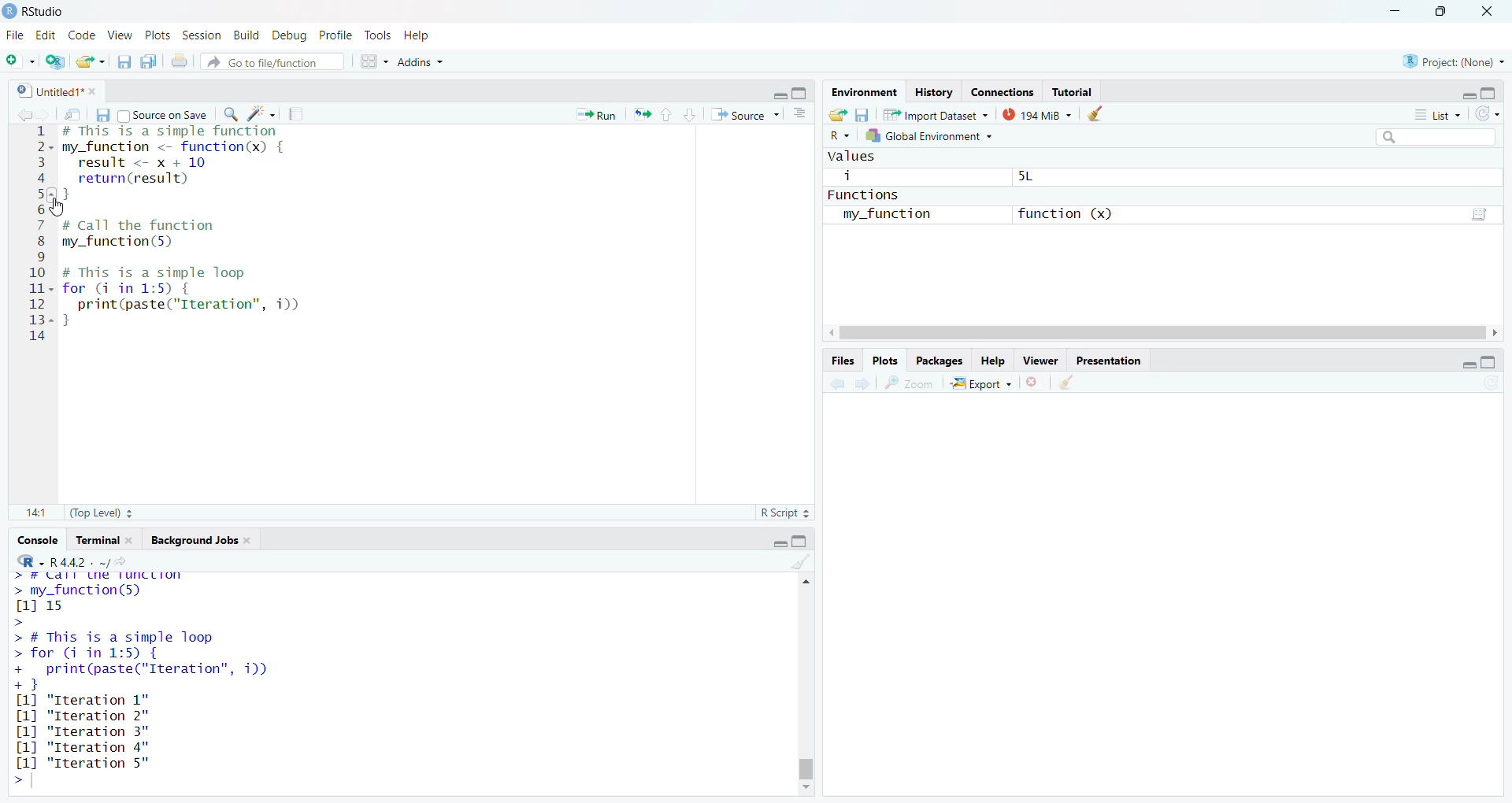 The height and width of the screenshot is (803, 1512). Describe the element at coordinates (1495, 116) in the screenshot. I see `refresh the list of objects in the environment` at that location.